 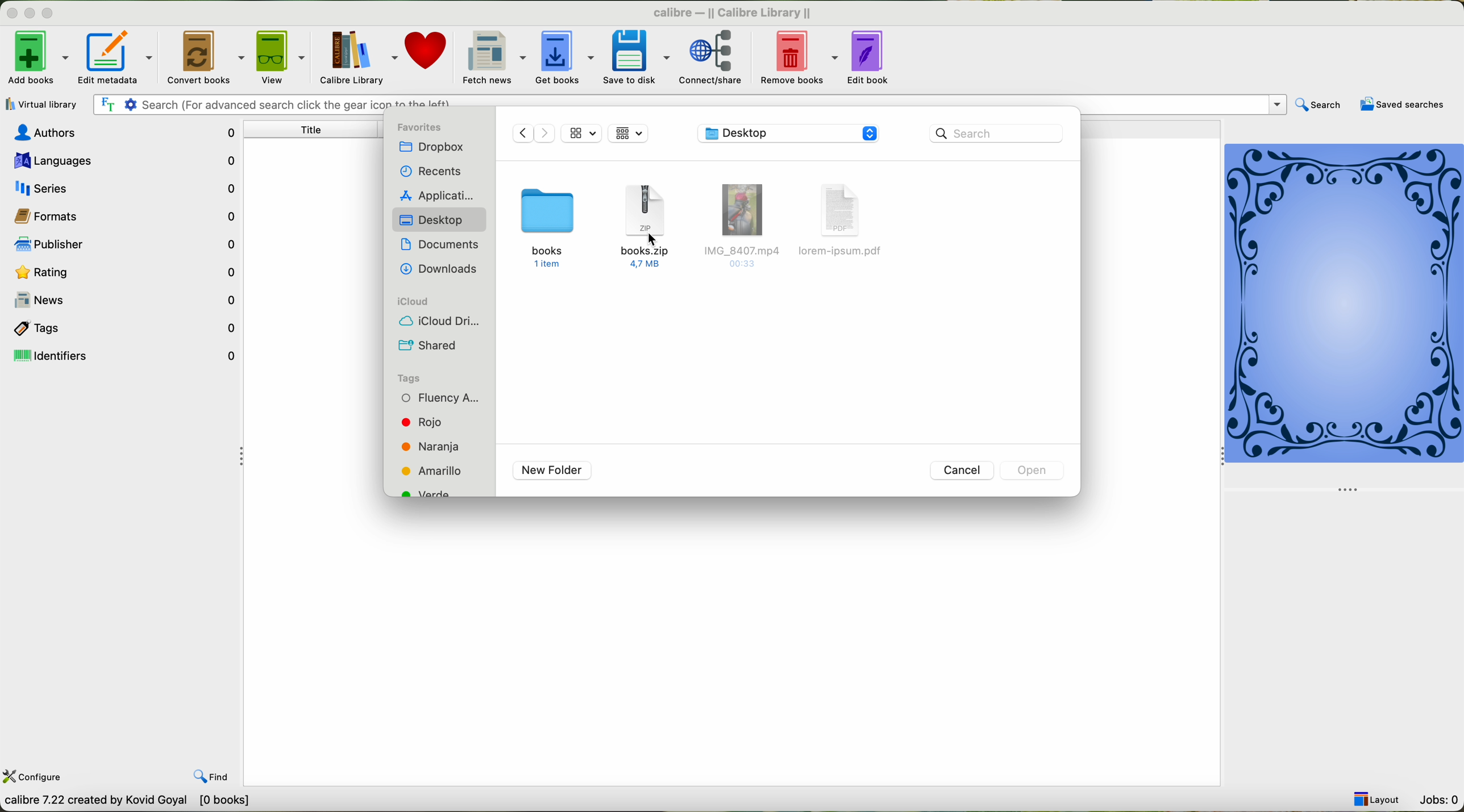 What do you see at coordinates (871, 59) in the screenshot?
I see `edit book` at bounding box center [871, 59].